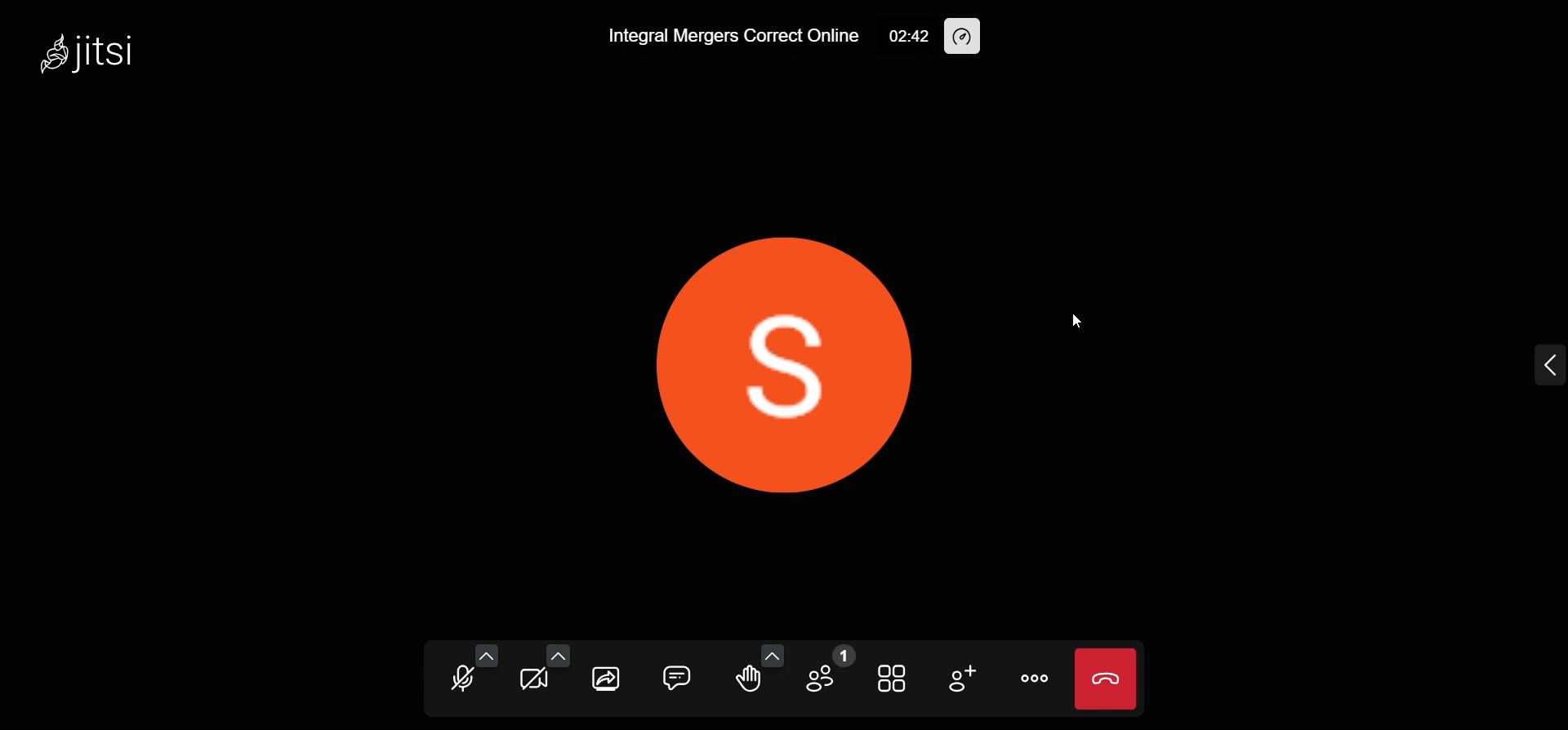 This screenshot has height=730, width=1568. I want to click on end meeting, so click(1106, 679).